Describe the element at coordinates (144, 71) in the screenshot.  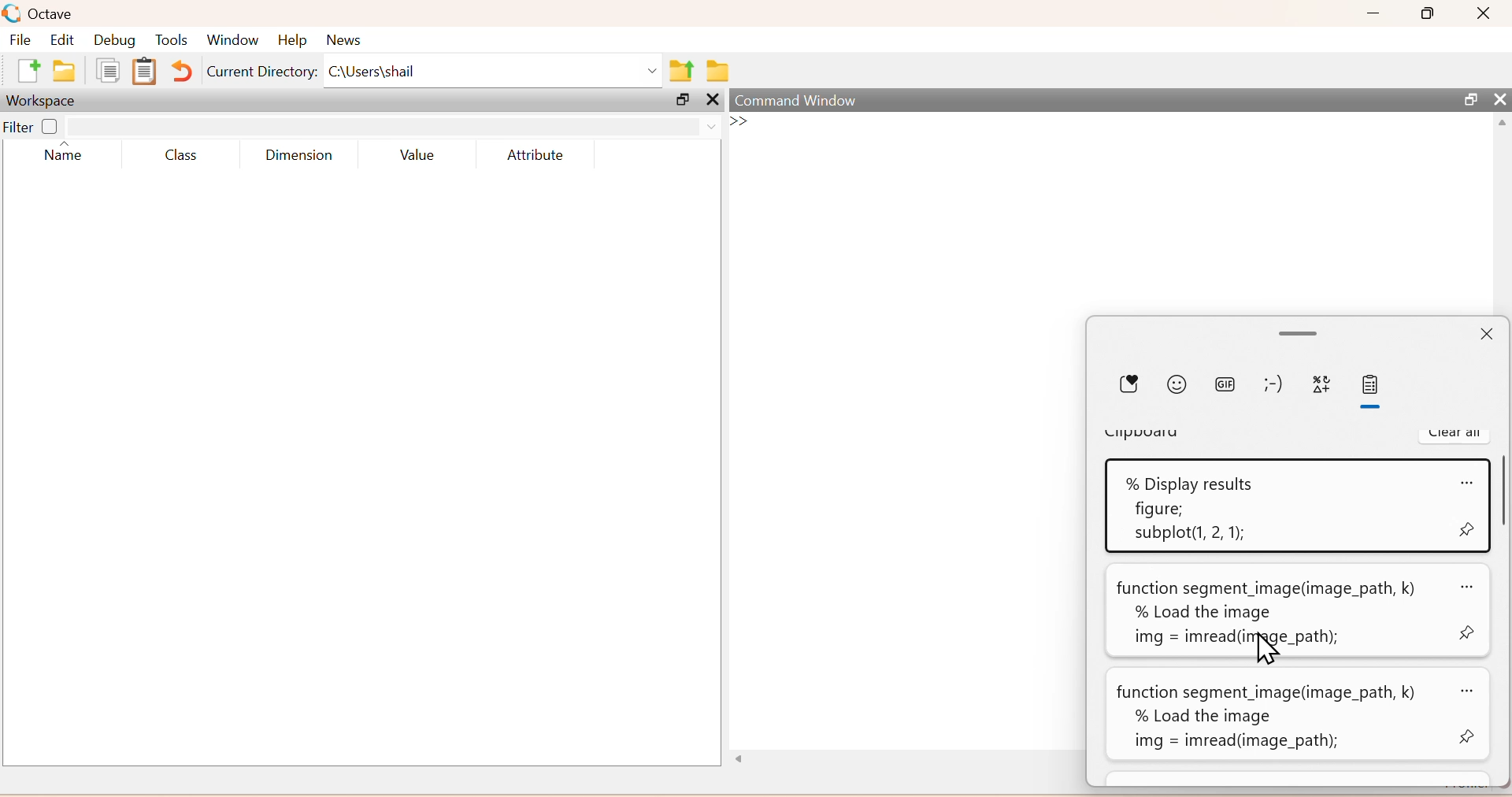
I see `paste` at that location.